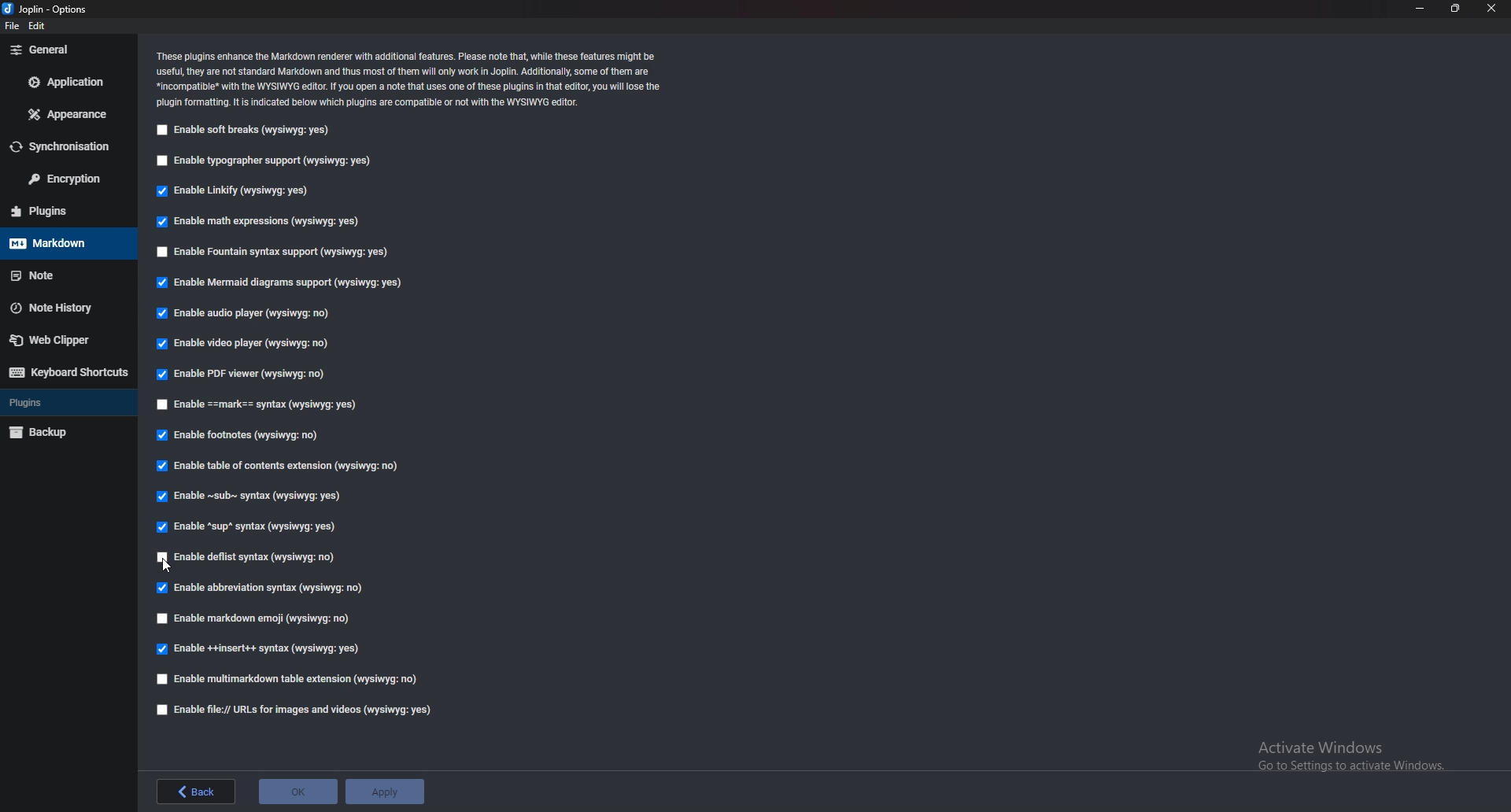 This screenshot has height=812, width=1511. What do you see at coordinates (269, 405) in the screenshot?
I see `Enable Mark Syntax` at bounding box center [269, 405].